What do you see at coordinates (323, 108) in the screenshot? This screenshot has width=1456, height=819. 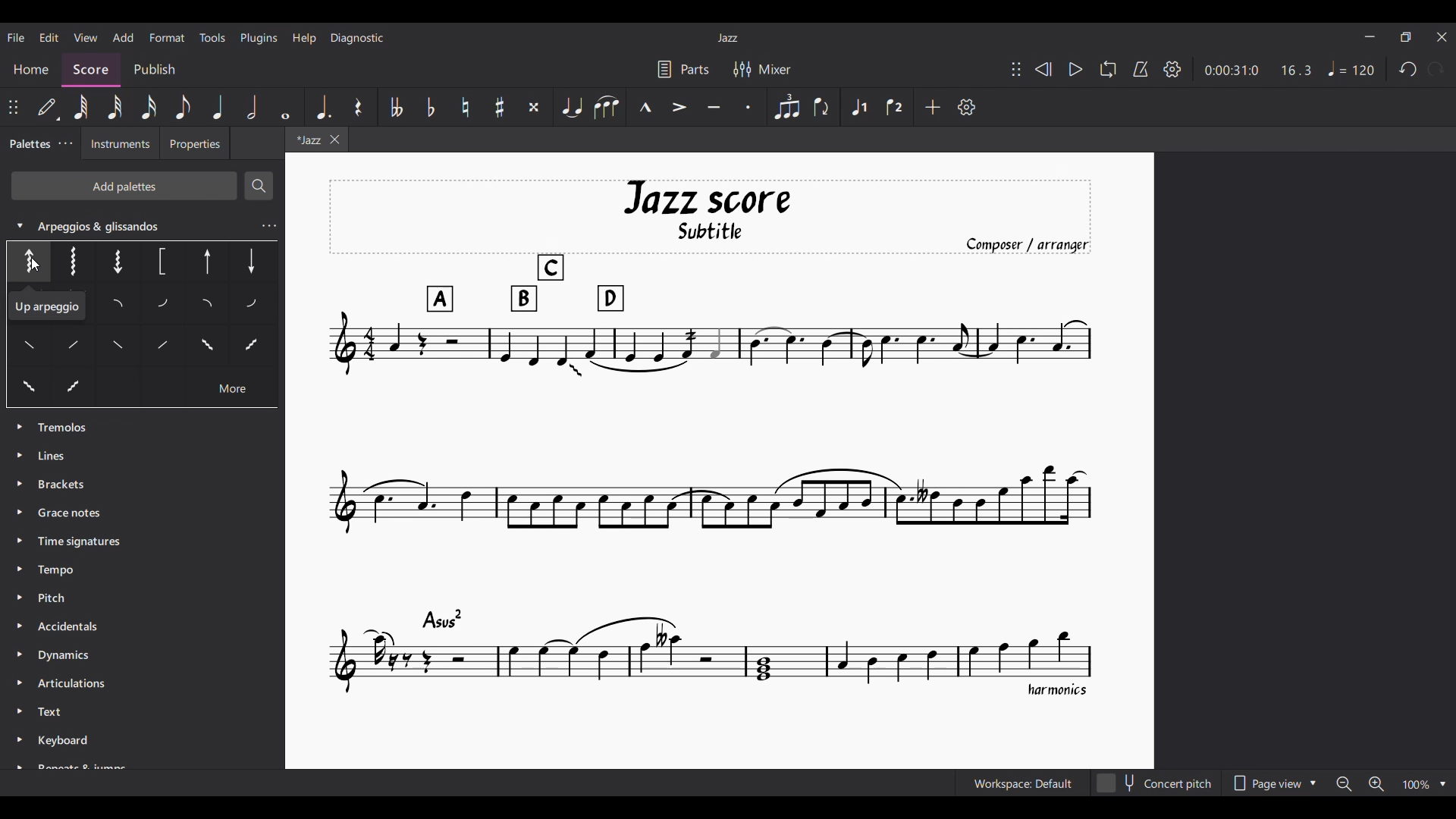 I see `Augmentation dot` at bounding box center [323, 108].